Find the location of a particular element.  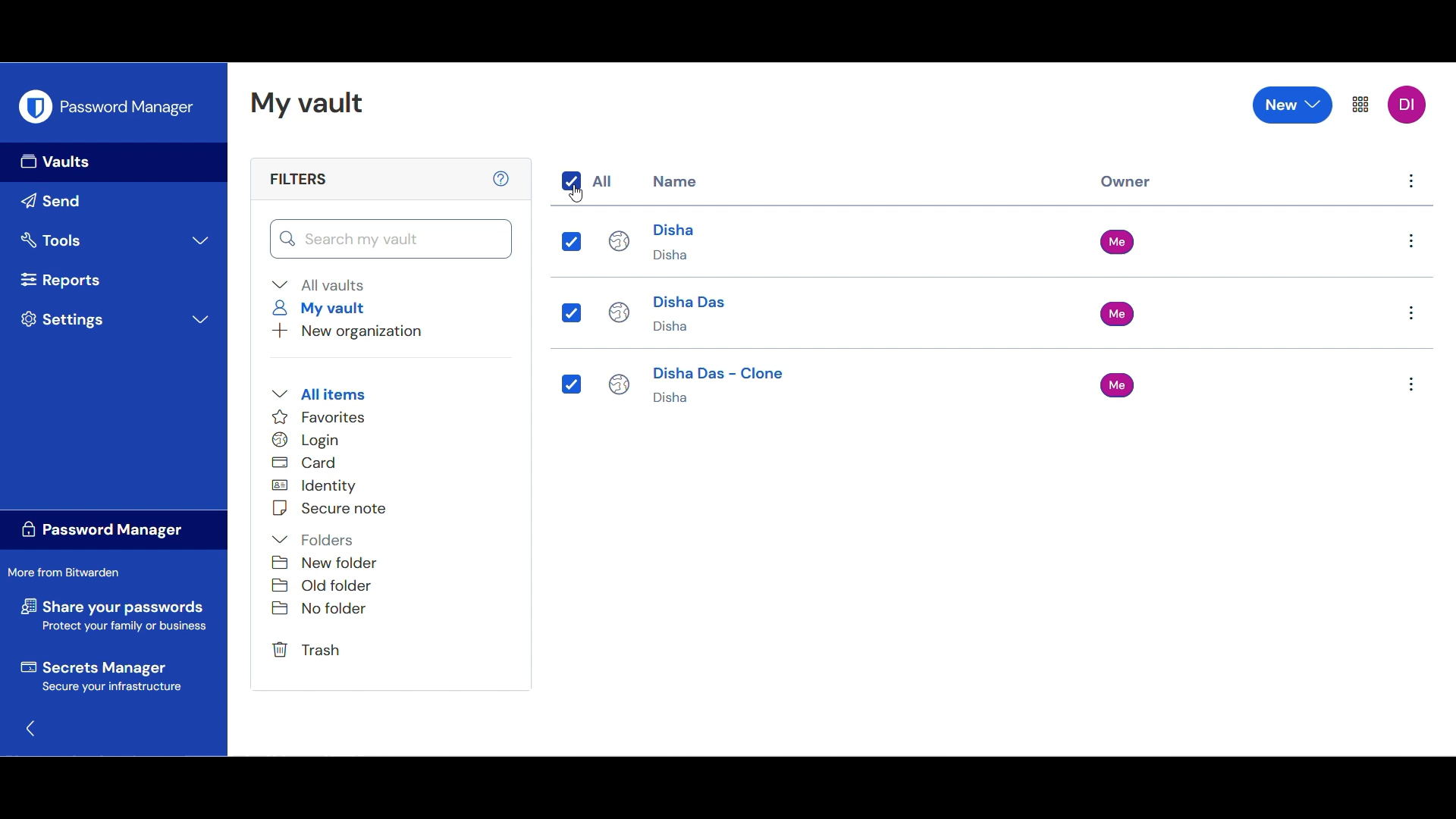

Me is located at coordinates (1118, 314).